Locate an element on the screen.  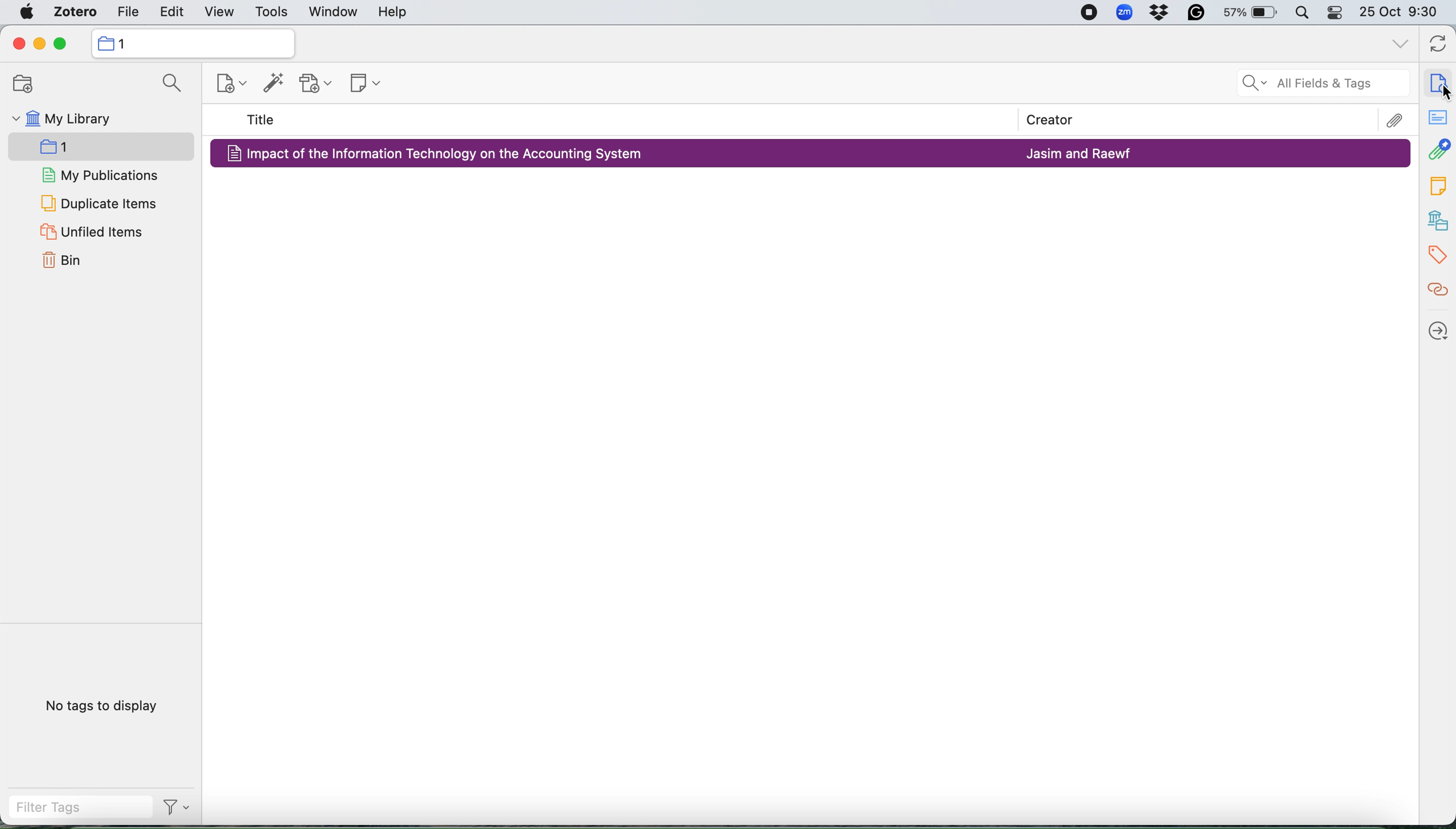
my publications is located at coordinates (97, 174).